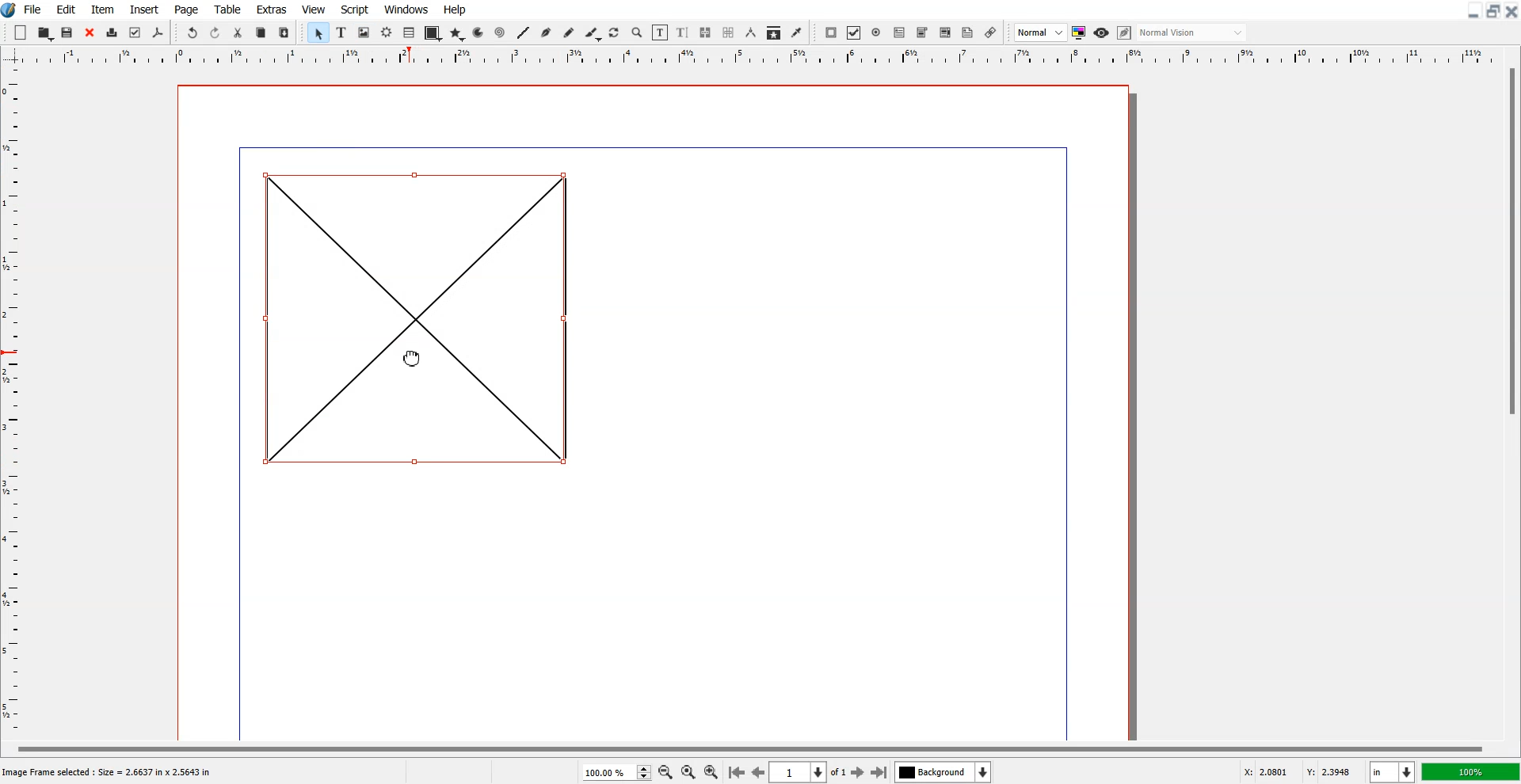 The image size is (1521, 784). What do you see at coordinates (1301, 771) in the screenshot?
I see `X,Y Co-ordinate` at bounding box center [1301, 771].